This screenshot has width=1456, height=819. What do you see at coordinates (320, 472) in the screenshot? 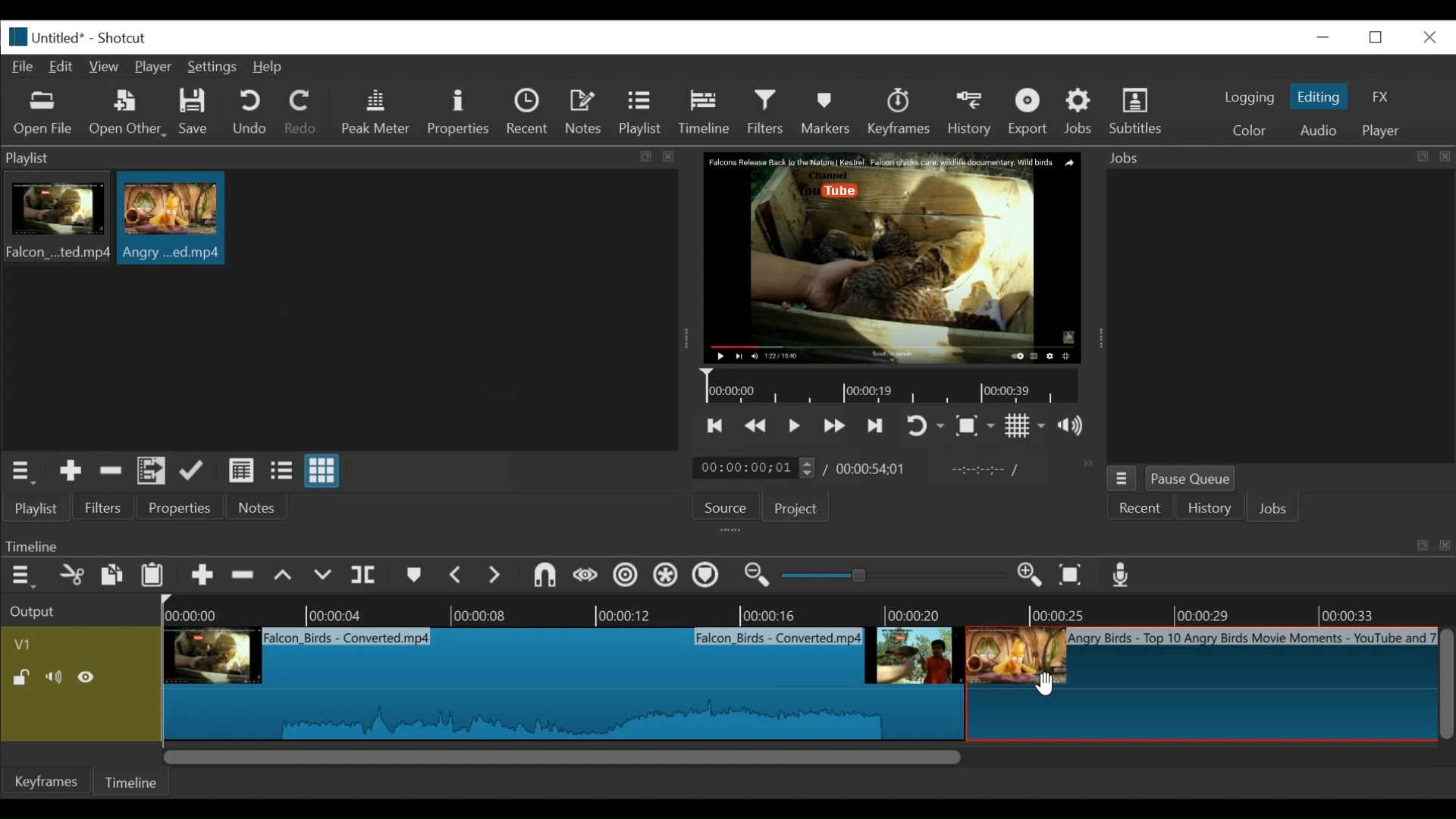
I see `view as icons` at bounding box center [320, 472].